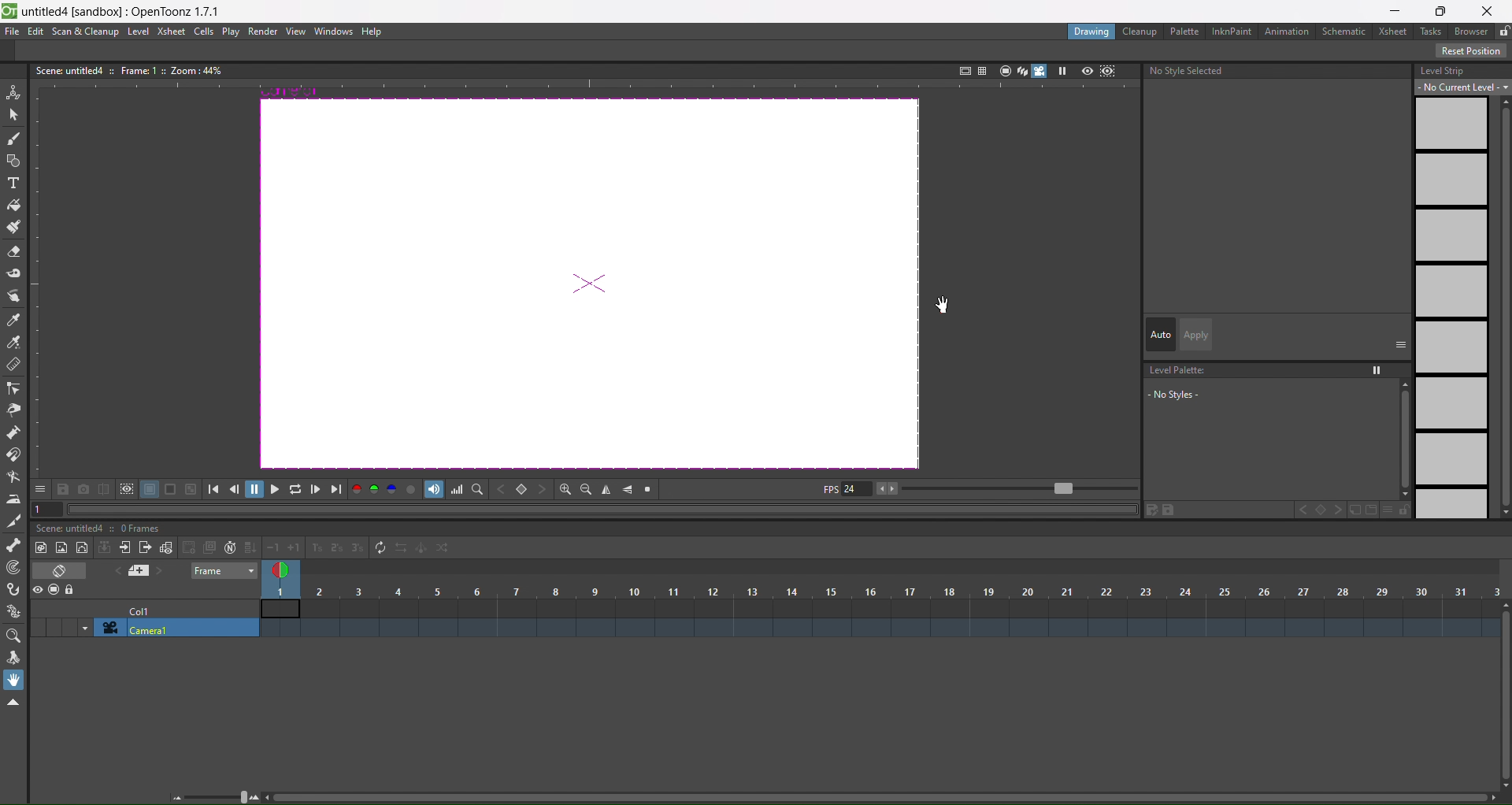 This screenshot has width=1512, height=805. I want to click on apply, so click(1195, 335).